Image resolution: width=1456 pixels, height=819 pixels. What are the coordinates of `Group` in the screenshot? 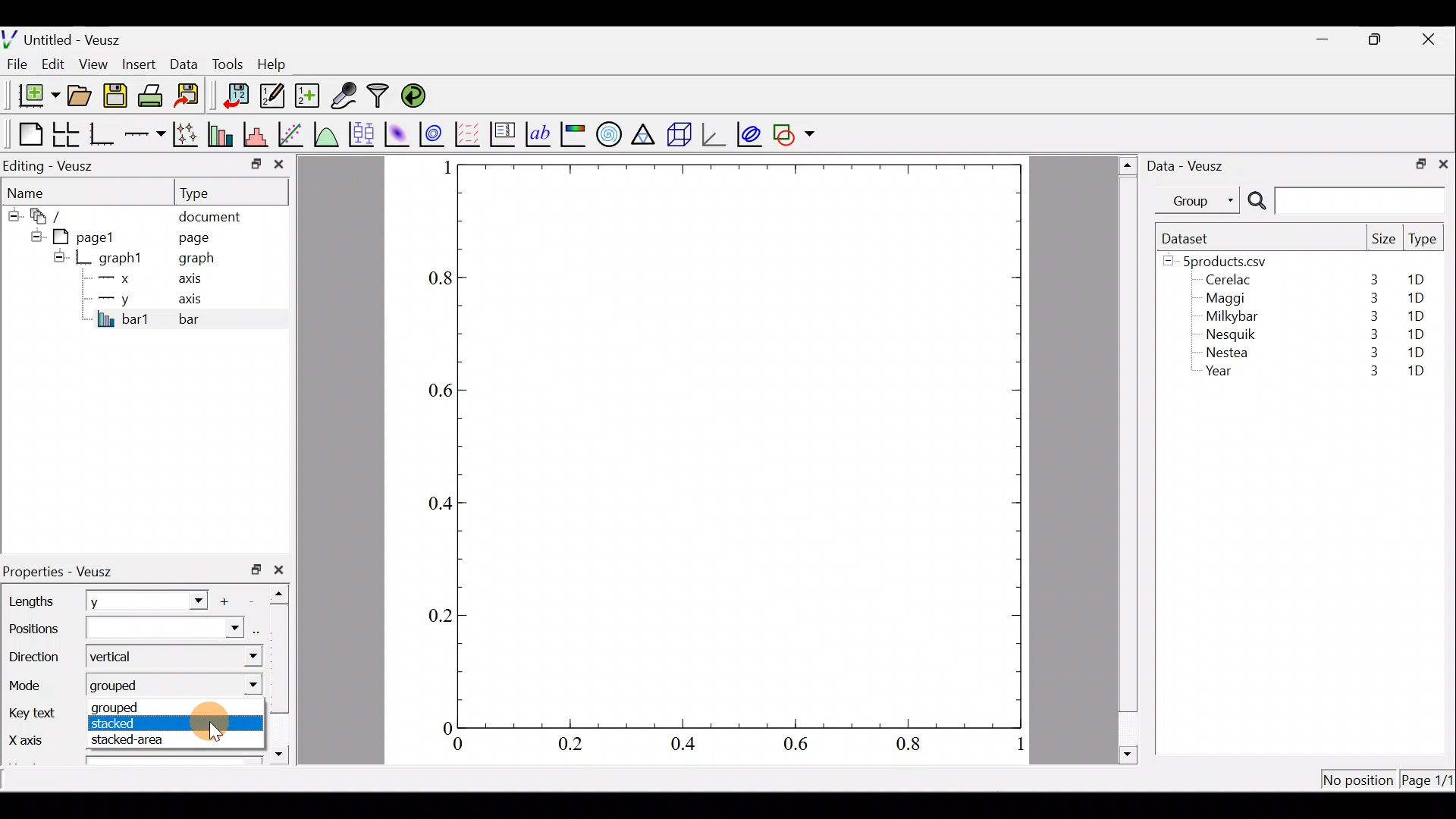 It's located at (1200, 199).